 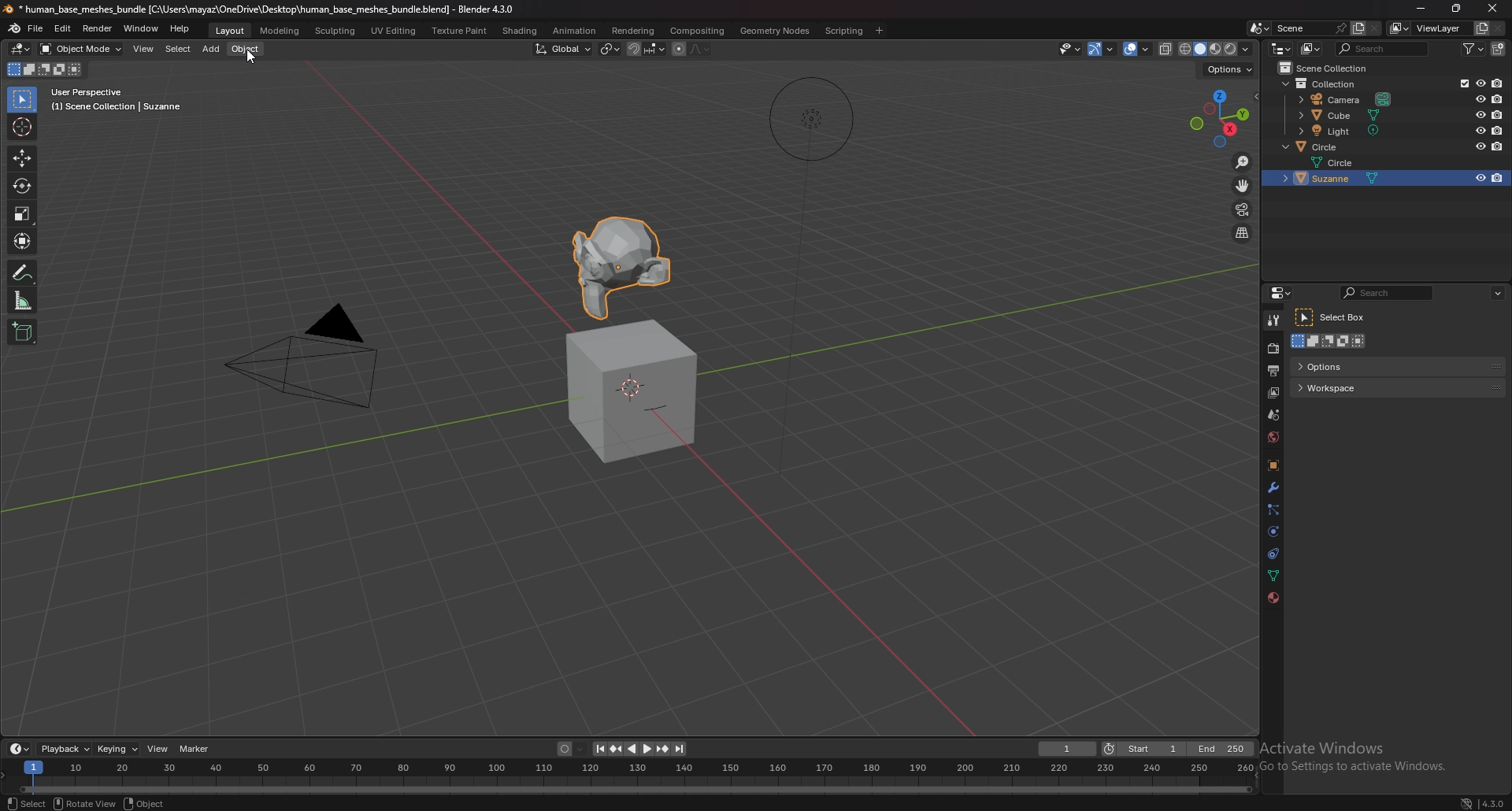 What do you see at coordinates (195, 749) in the screenshot?
I see `marker` at bounding box center [195, 749].